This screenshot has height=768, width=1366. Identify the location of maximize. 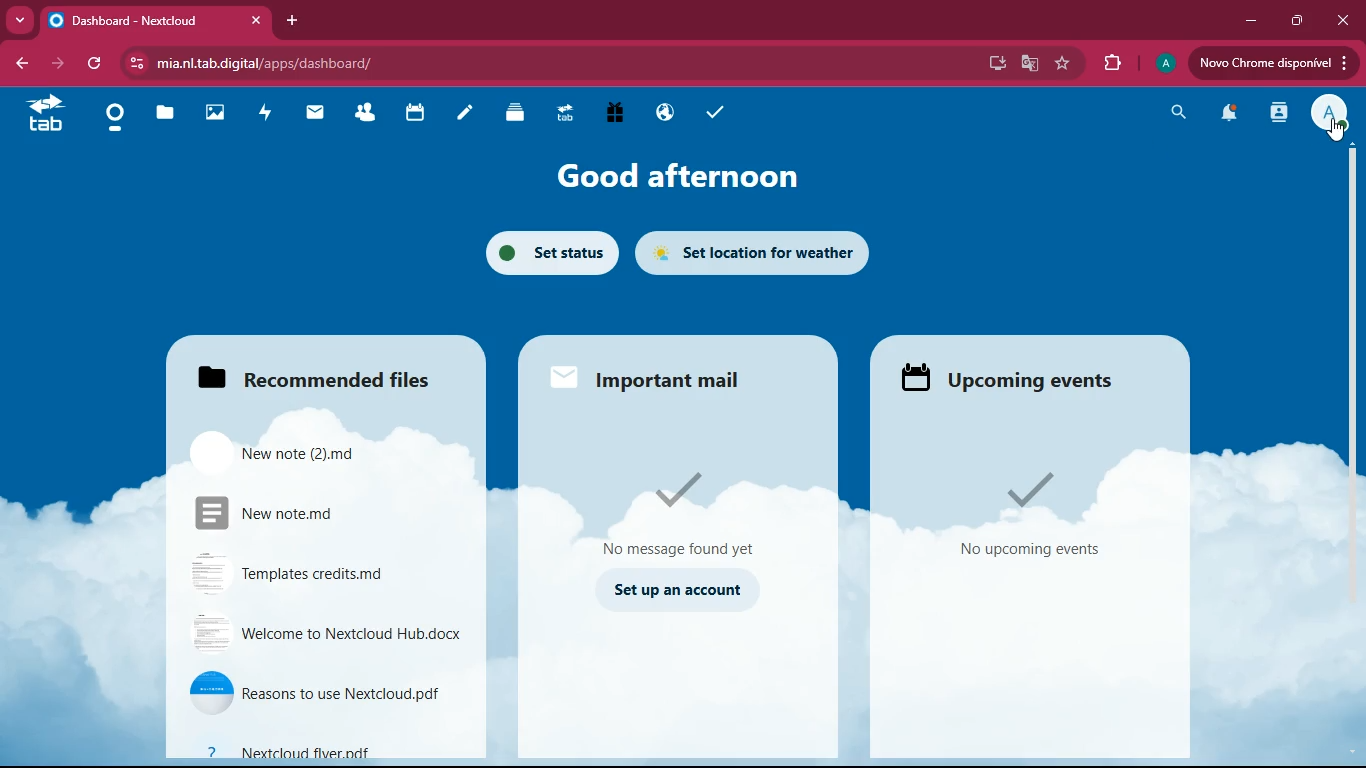
(1299, 22).